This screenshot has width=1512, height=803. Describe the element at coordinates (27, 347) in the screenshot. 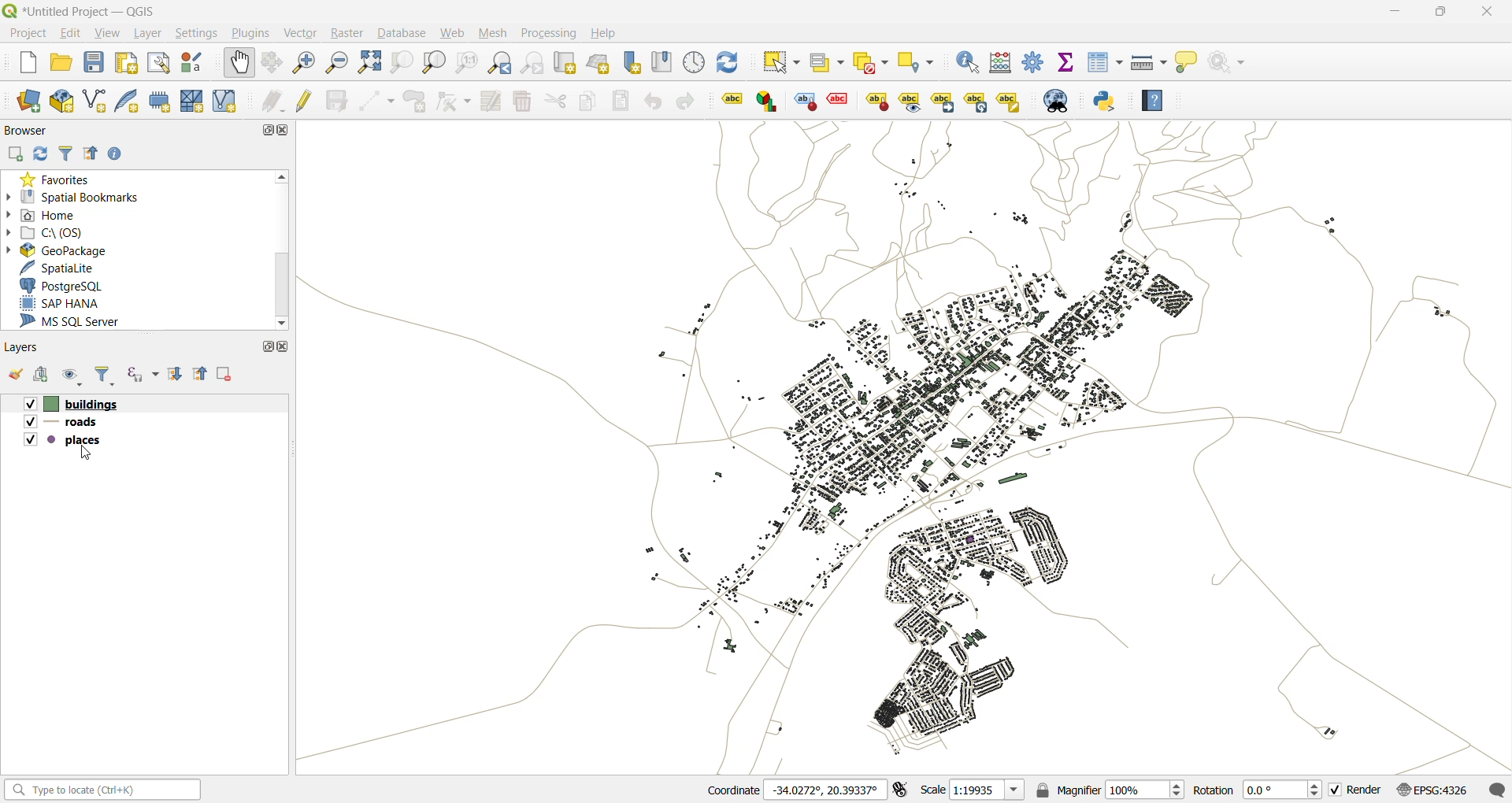

I see `layers` at that location.